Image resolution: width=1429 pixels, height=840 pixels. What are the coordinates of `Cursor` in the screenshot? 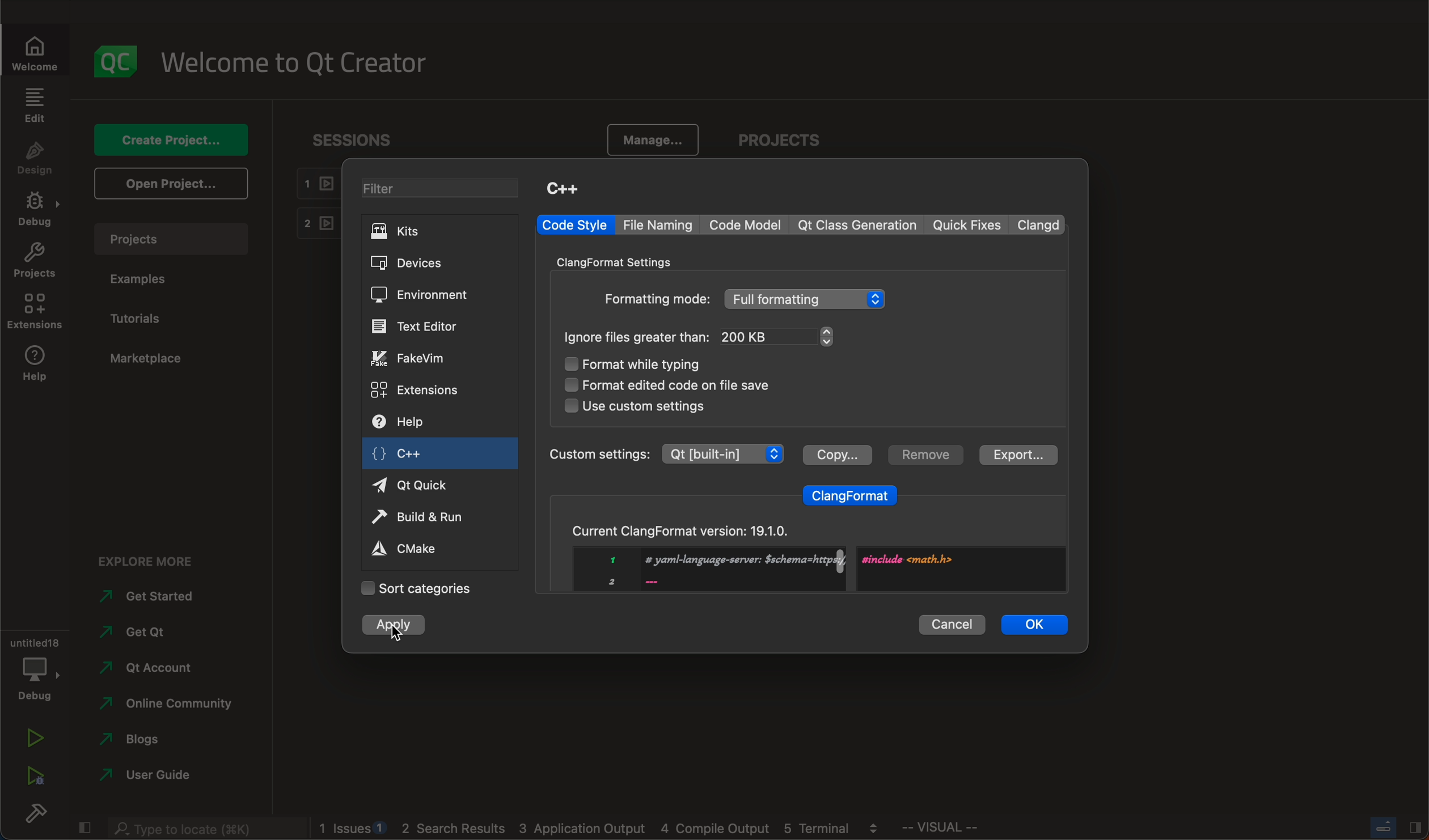 It's located at (396, 633).